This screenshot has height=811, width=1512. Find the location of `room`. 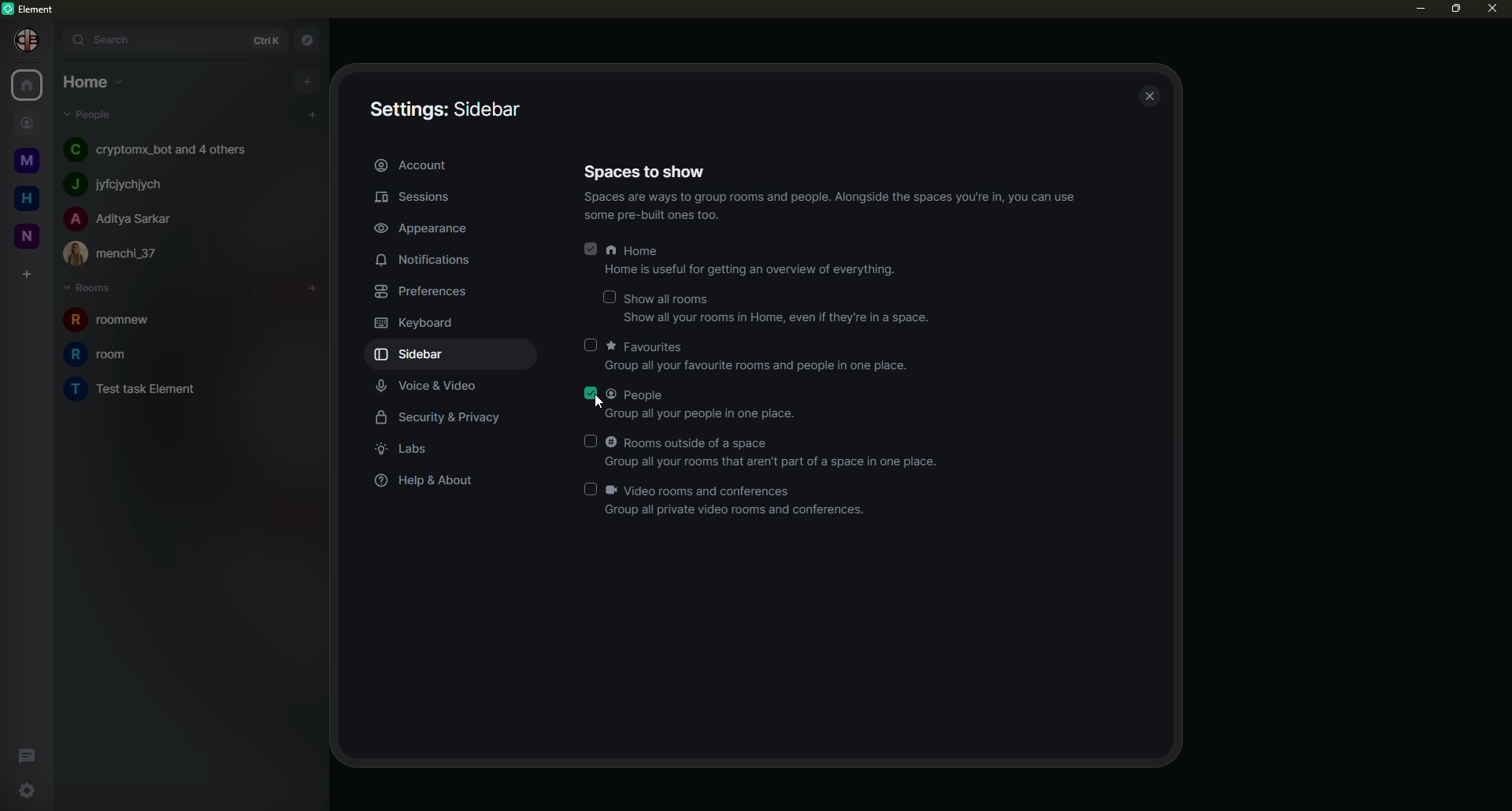

room is located at coordinates (147, 390).